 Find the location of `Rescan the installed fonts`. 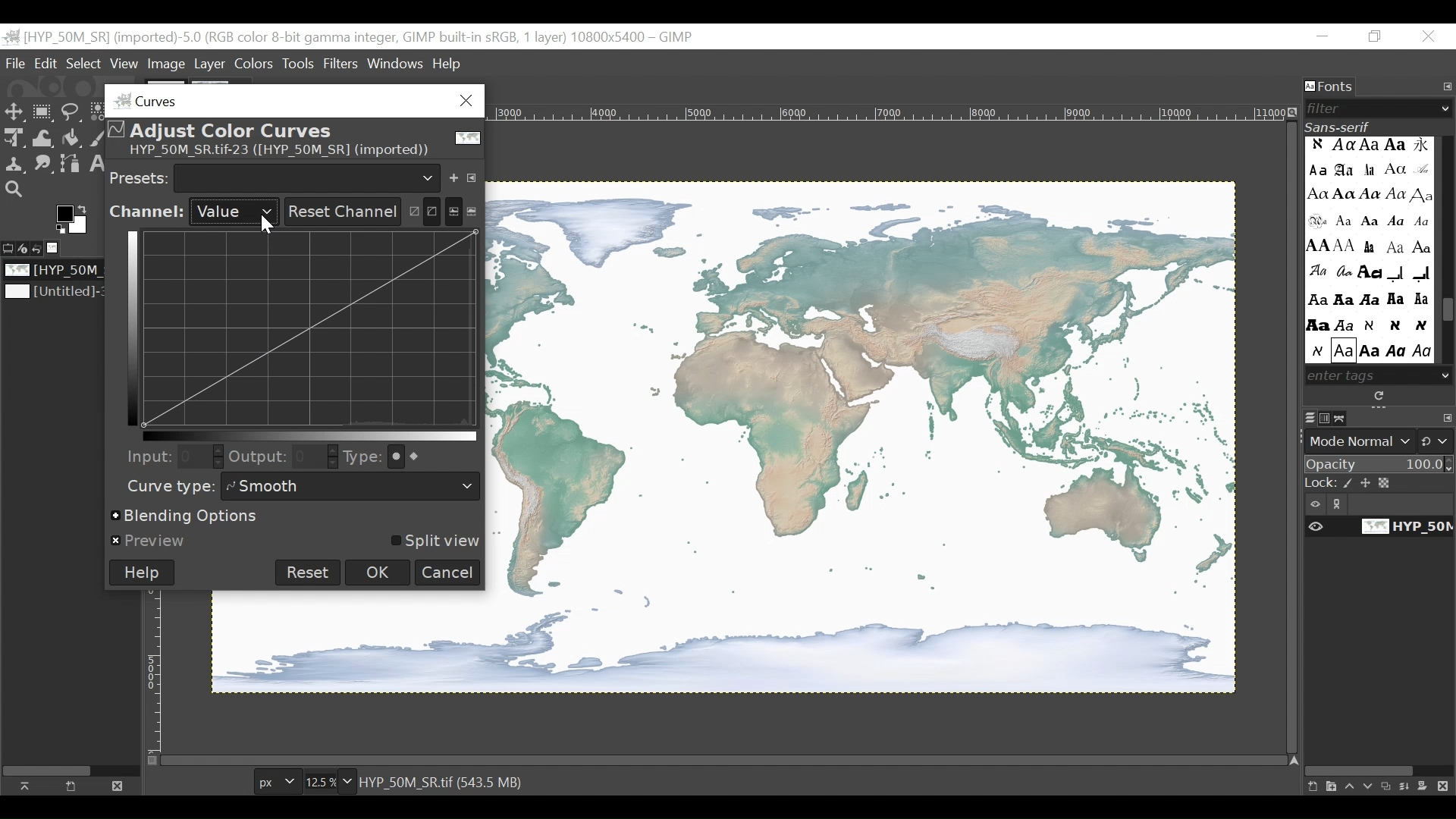

Rescan the installed fonts is located at coordinates (1381, 396).